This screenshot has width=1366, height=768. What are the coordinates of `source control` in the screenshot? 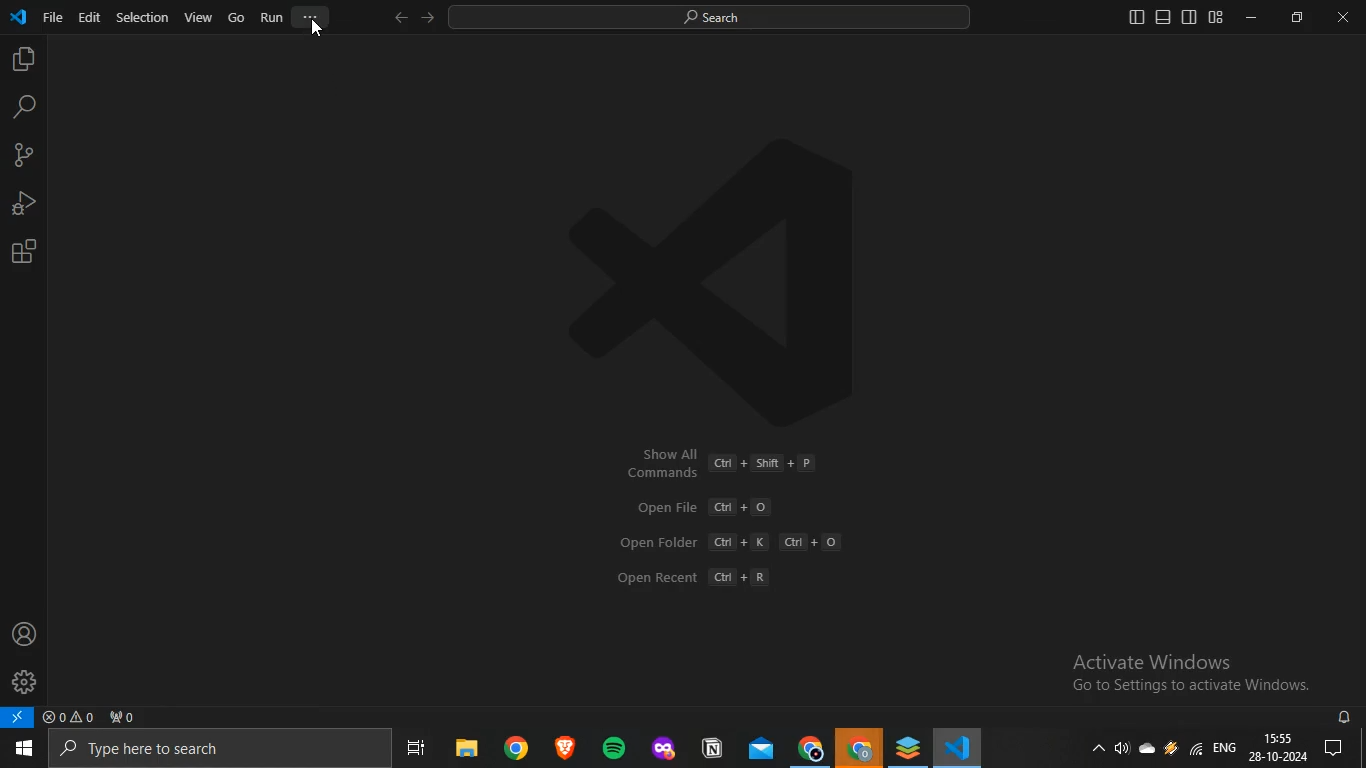 It's located at (21, 156).